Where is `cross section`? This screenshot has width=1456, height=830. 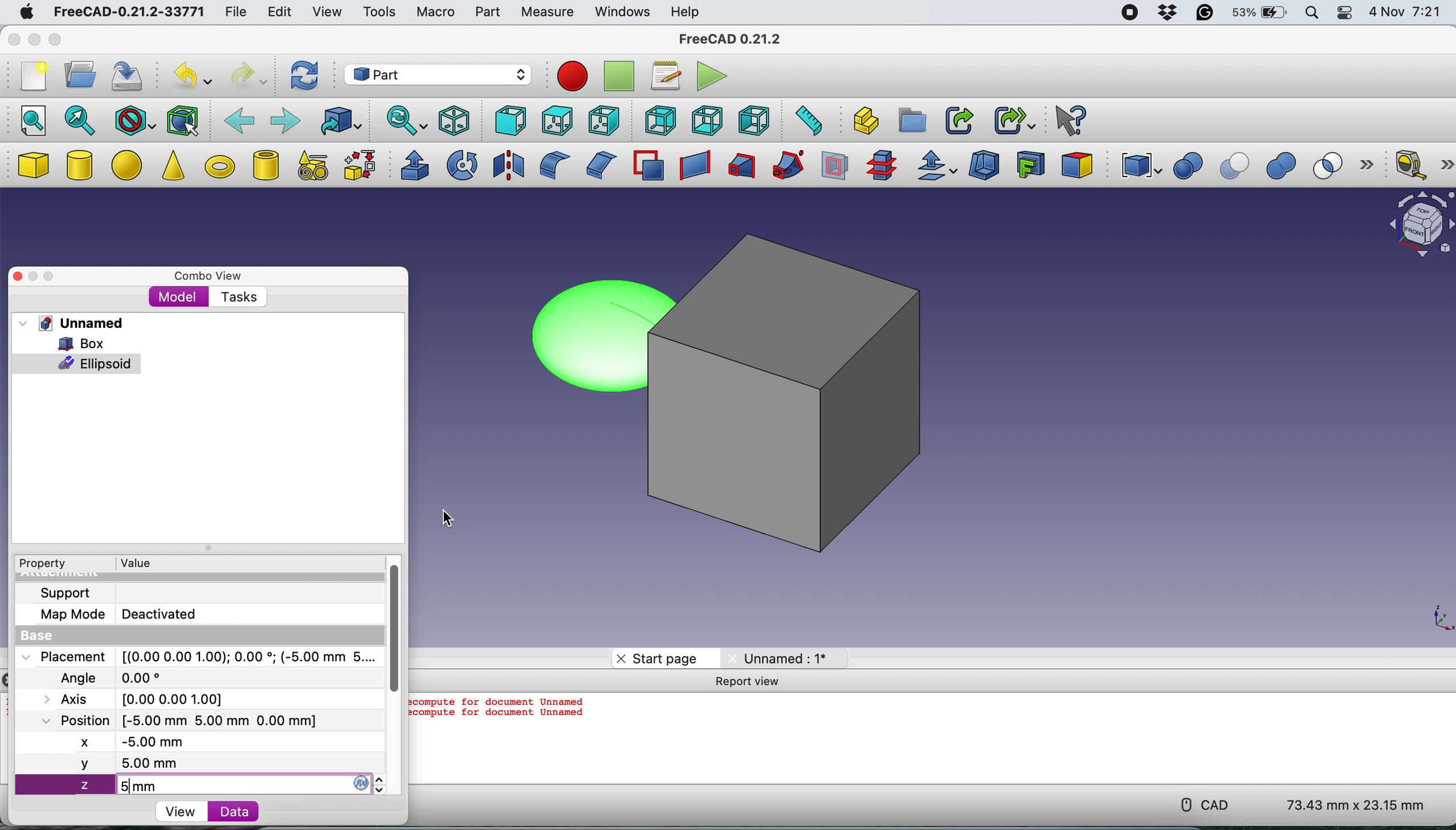
cross section is located at coordinates (882, 166).